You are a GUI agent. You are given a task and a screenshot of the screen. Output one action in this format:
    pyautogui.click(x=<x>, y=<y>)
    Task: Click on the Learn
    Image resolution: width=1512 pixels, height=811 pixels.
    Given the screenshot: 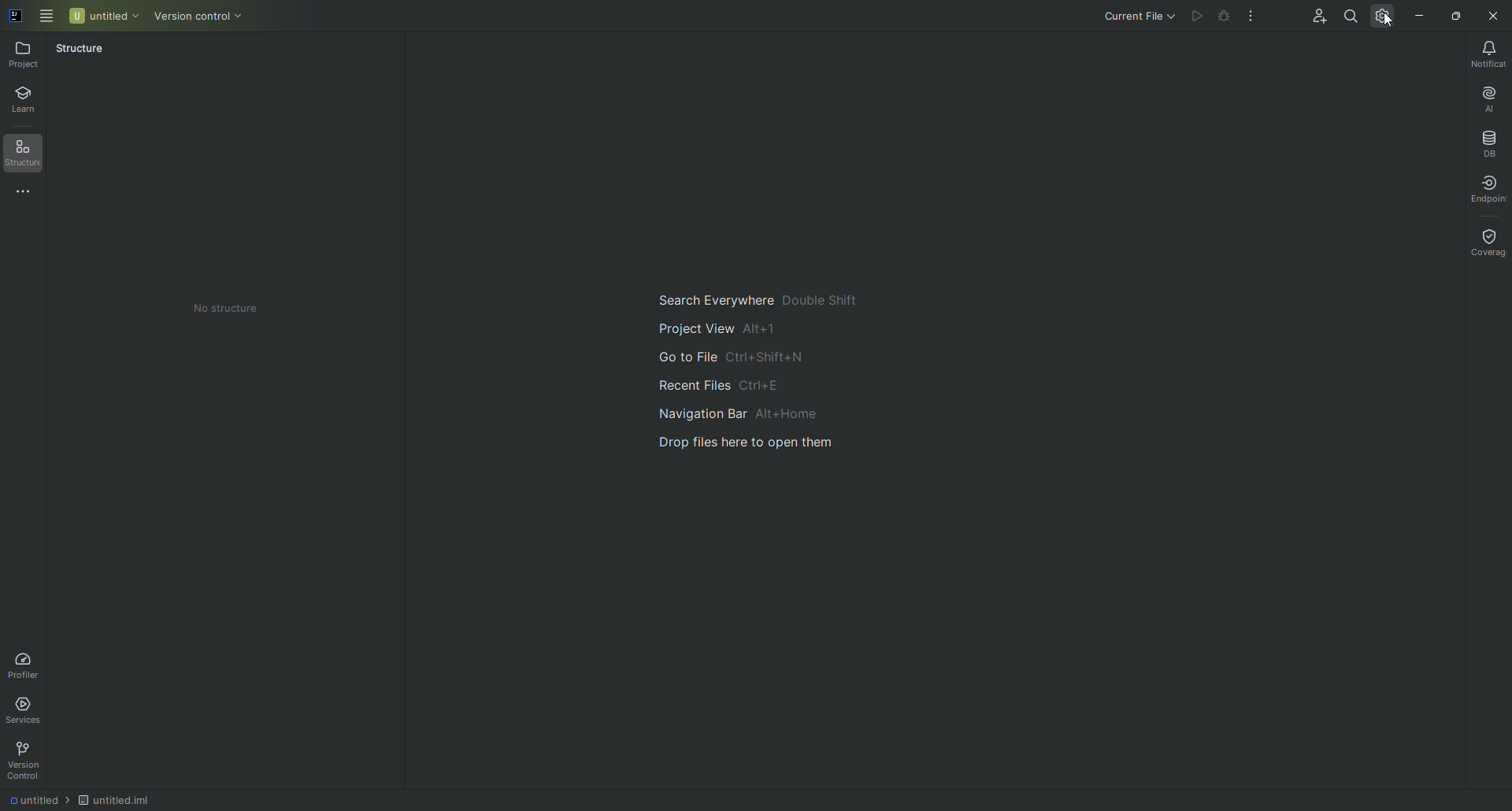 What is the action you would take?
    pyautogui.click(x=27, y=101)
    